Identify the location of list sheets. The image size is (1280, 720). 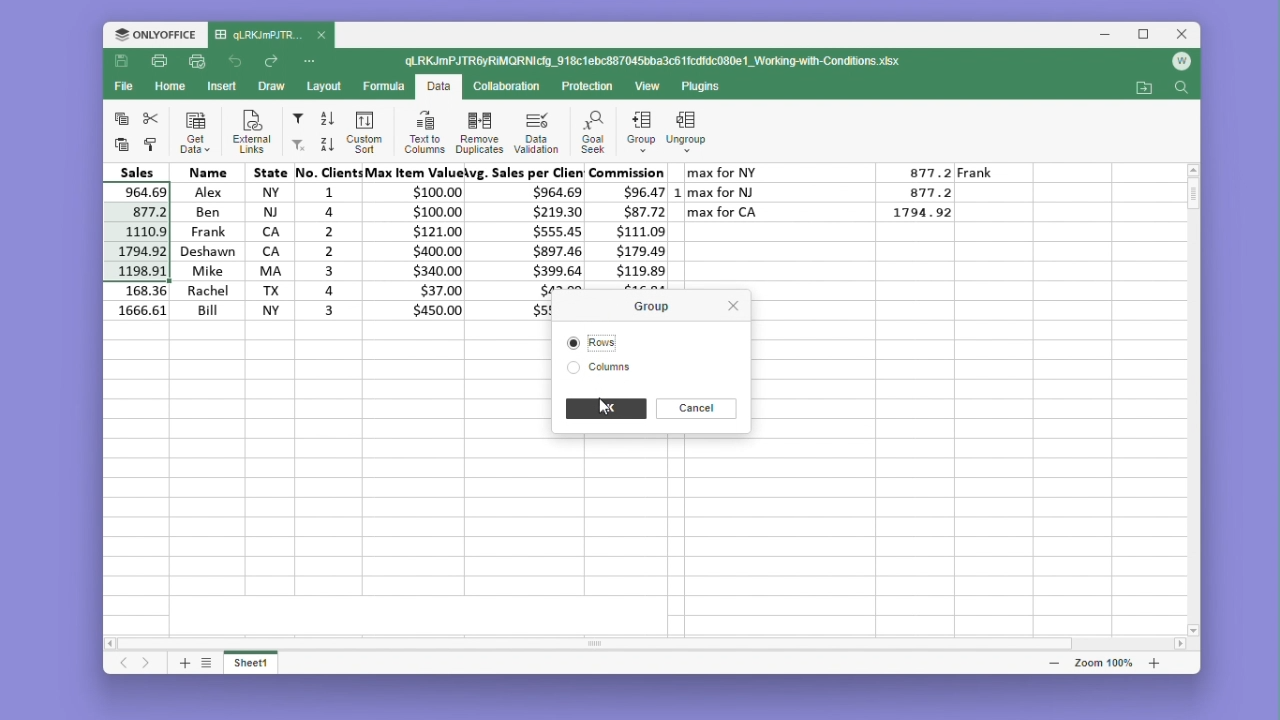
(207, 662).